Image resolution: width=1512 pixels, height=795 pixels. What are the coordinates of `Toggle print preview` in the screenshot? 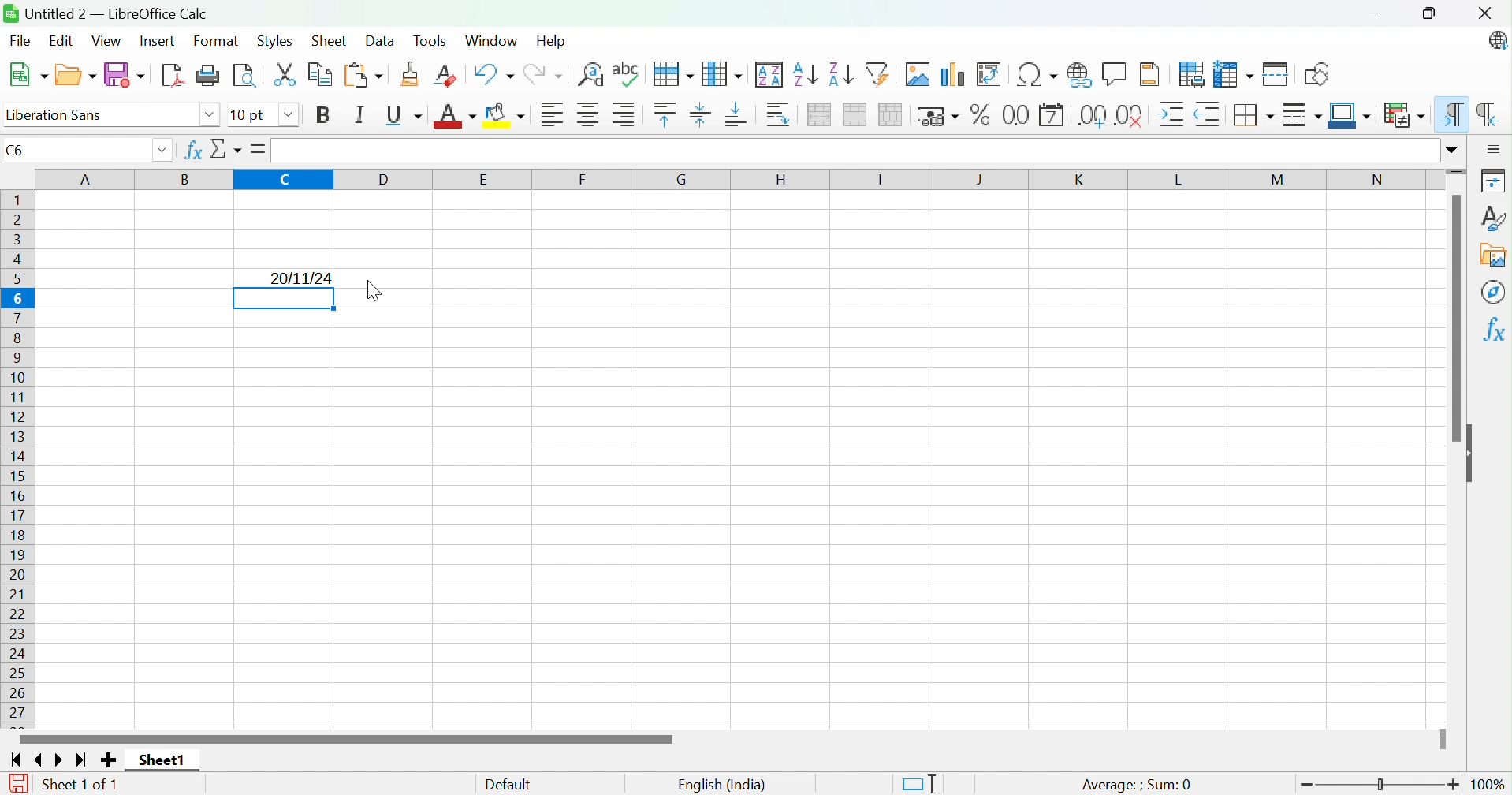 It's located at (245, 74).